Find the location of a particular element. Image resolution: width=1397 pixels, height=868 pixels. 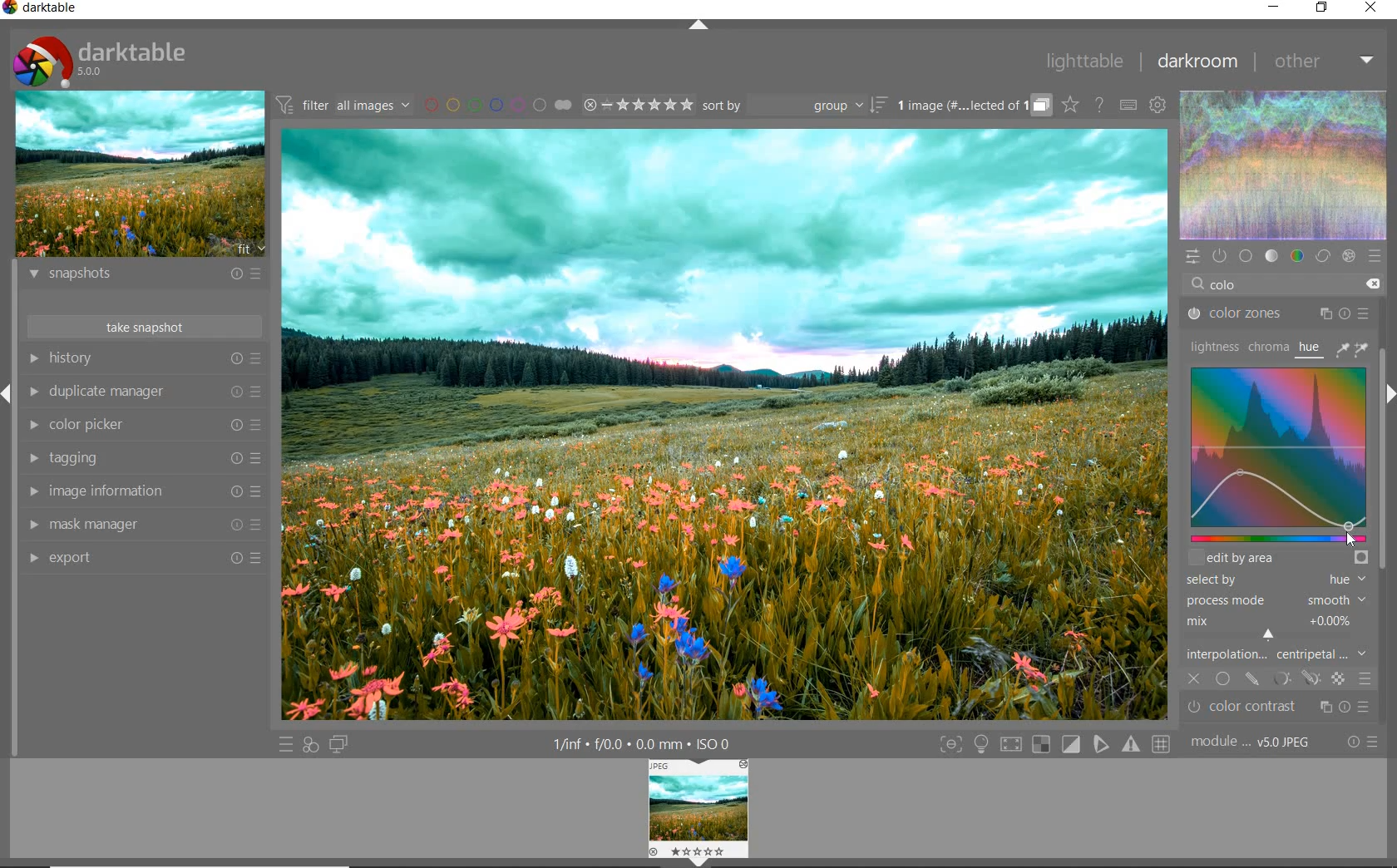

mask options is located at coordinates (1296, 679).